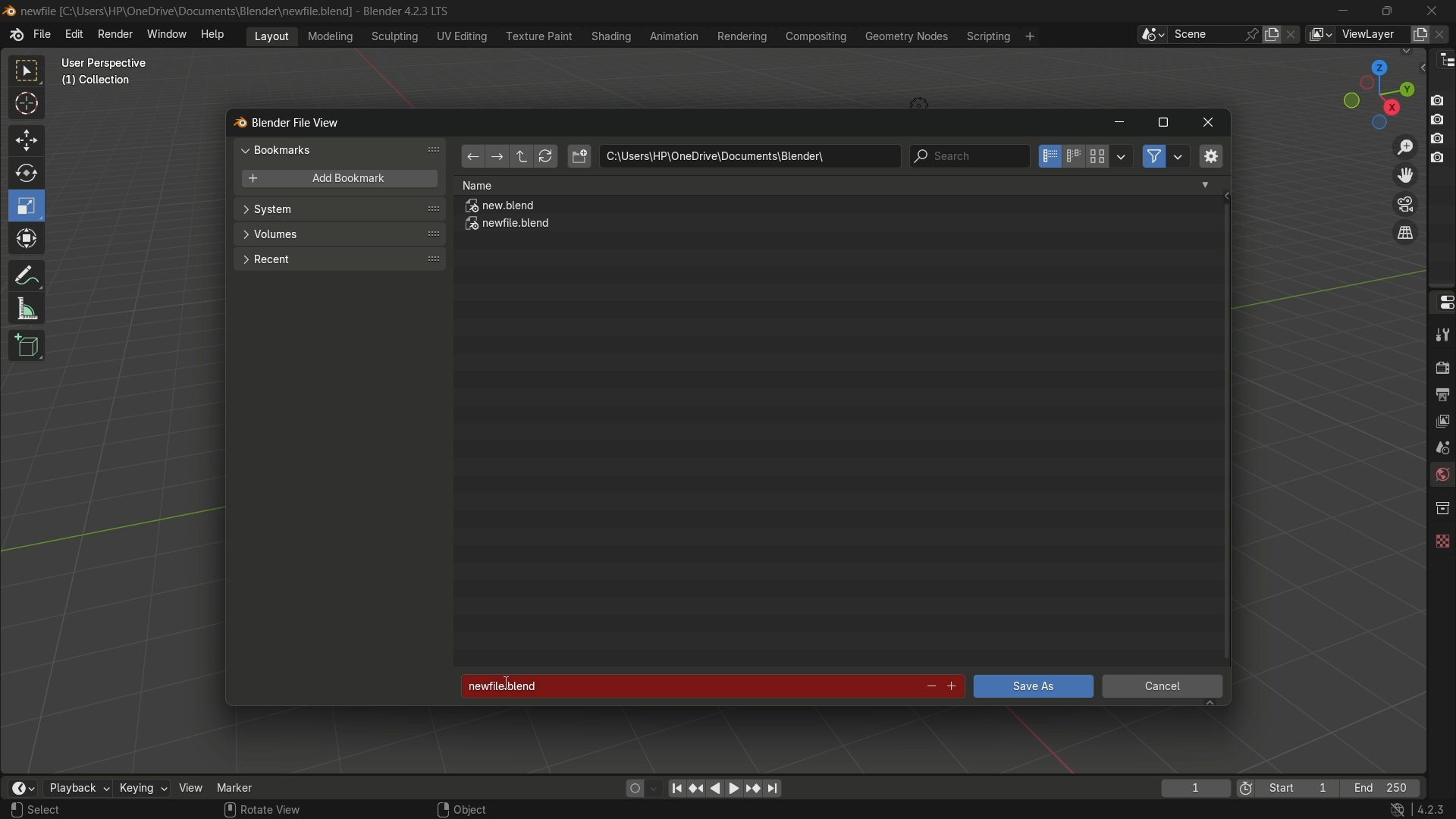 The width and height of the screenshot is (1456, 819). What do you see at coordinates (1028, 36) in the screenshot?
I see `add workspace` at bounding box center [1028, 36].